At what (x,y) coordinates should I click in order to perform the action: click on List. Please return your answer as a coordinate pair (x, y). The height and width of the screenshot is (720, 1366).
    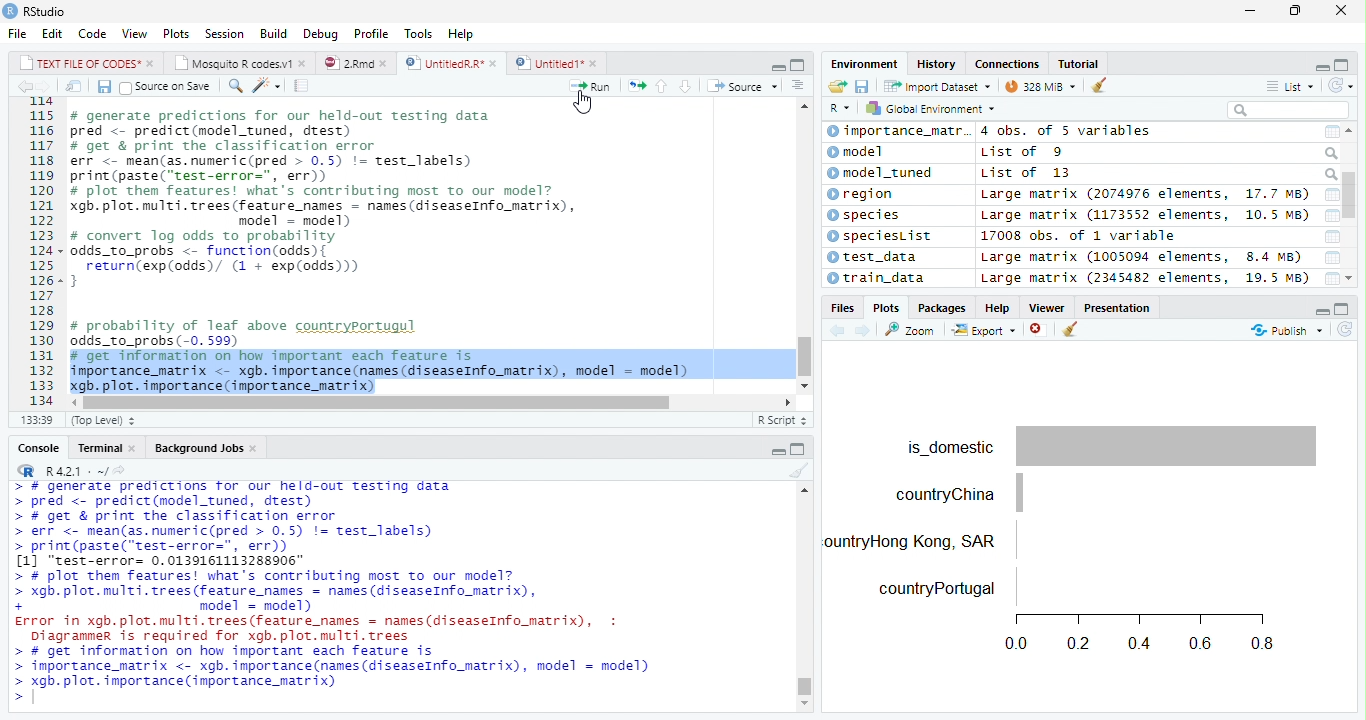
    Looking at the image, I should click on (1289, 85).